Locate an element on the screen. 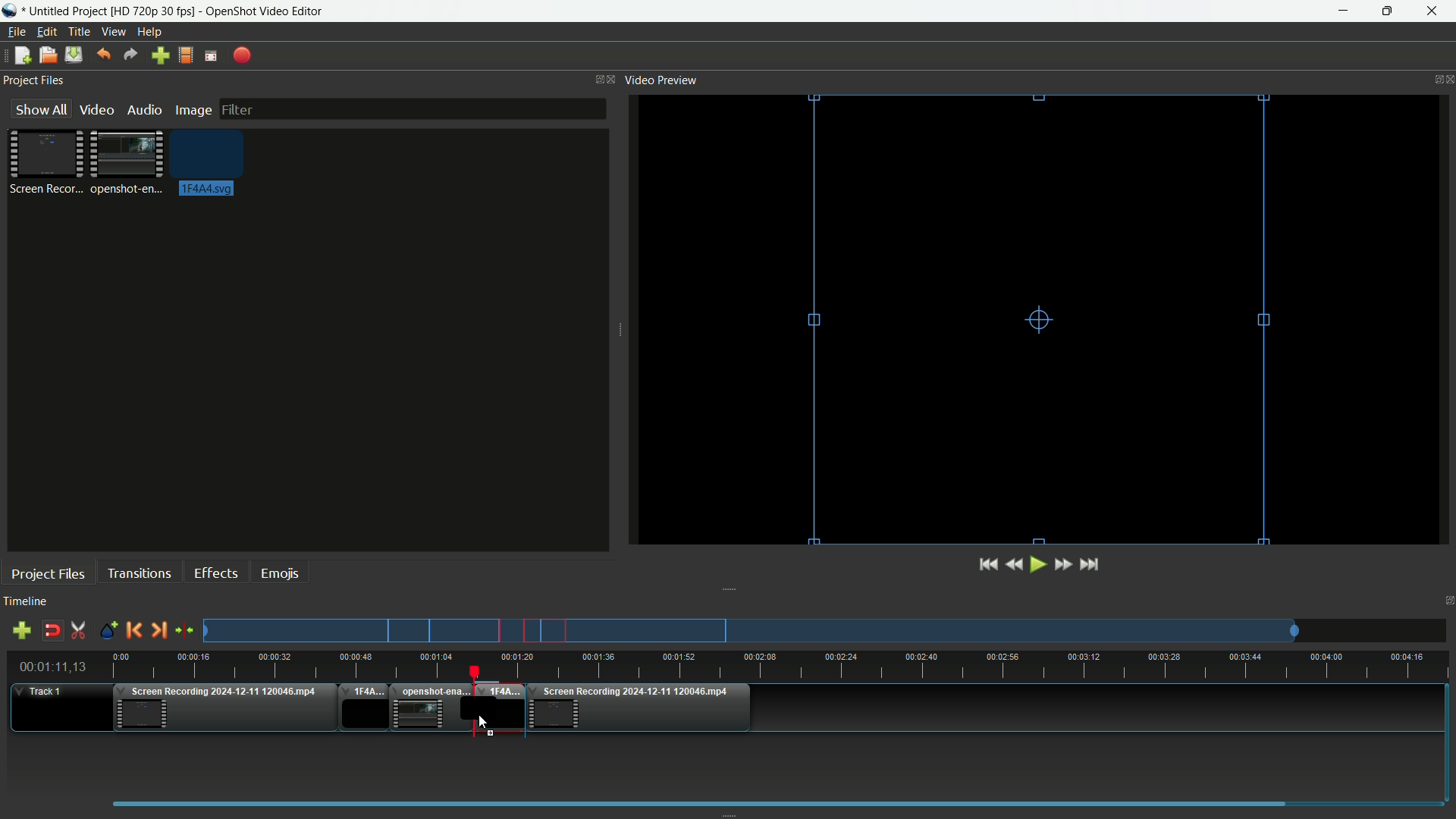 Image resolution: width=1456 pixels, height=819 pixels. File menu is located at coordinates (14, 33).